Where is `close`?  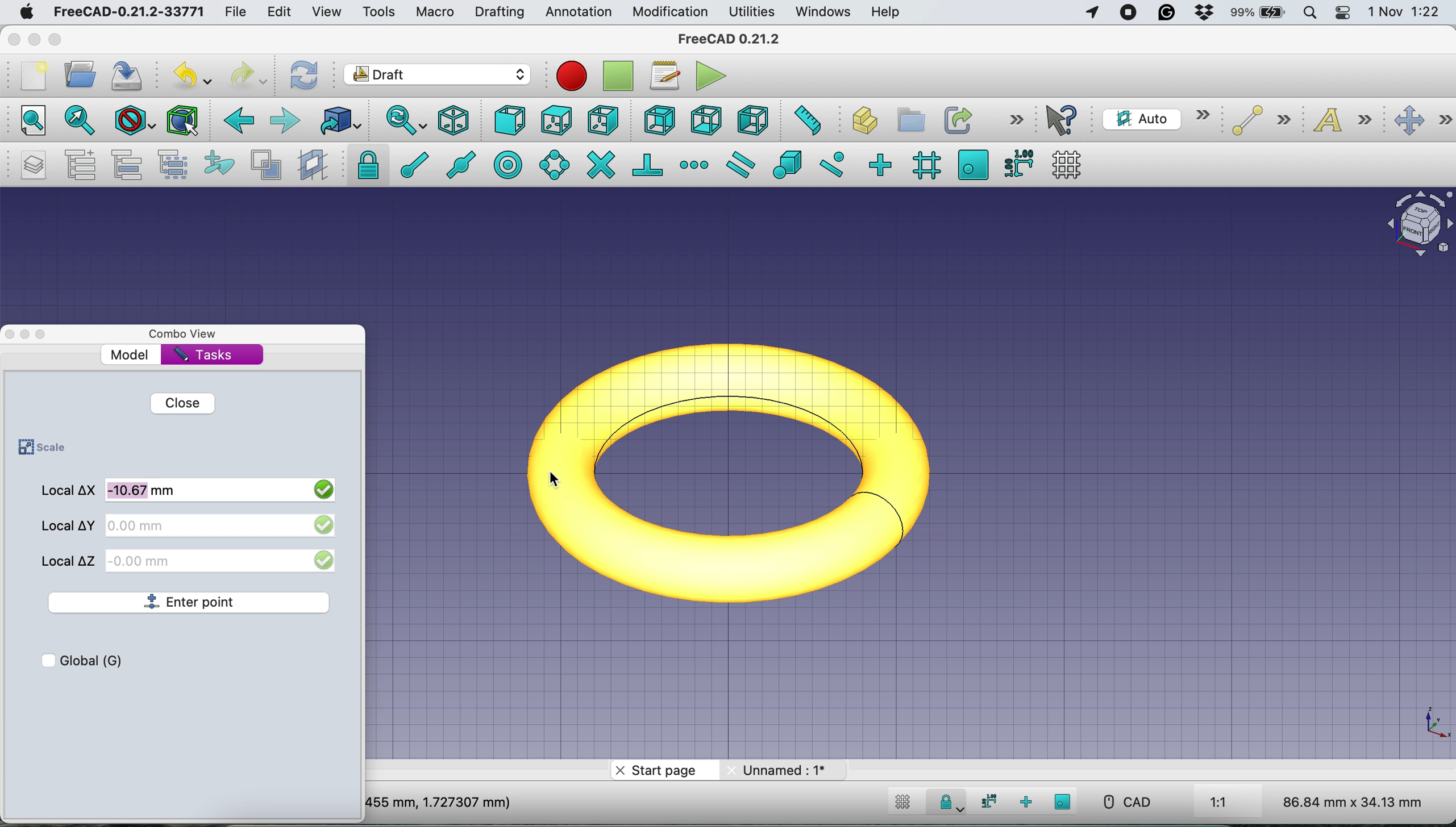
close is located at coordinates (181, 403).